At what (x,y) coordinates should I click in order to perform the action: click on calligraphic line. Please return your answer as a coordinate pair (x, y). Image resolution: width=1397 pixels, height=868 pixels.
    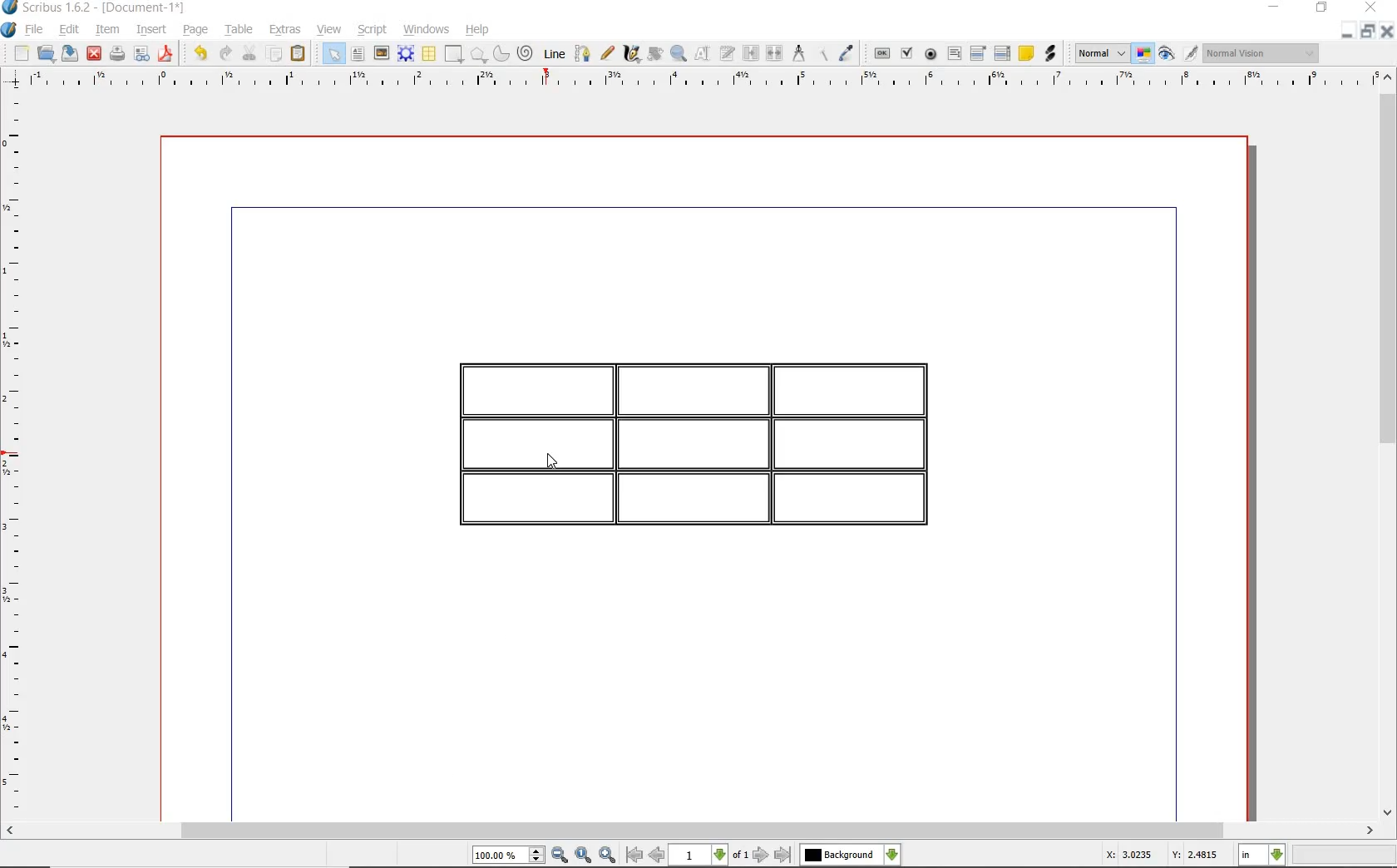
    Looking at the image, I should click on (630, 53).